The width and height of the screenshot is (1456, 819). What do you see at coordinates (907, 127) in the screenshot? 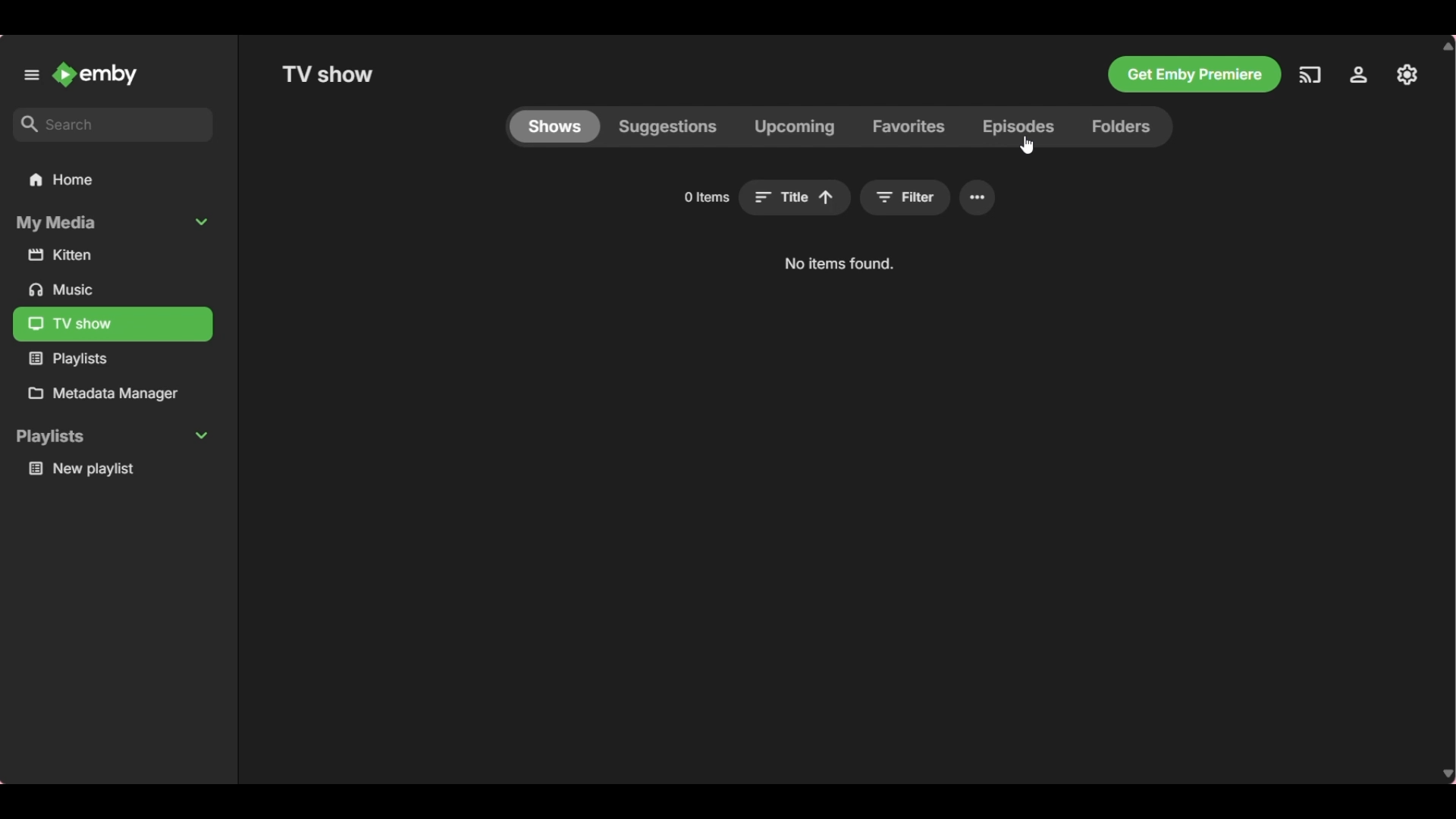
I see `Favorites` at bounding box center [907, 127].